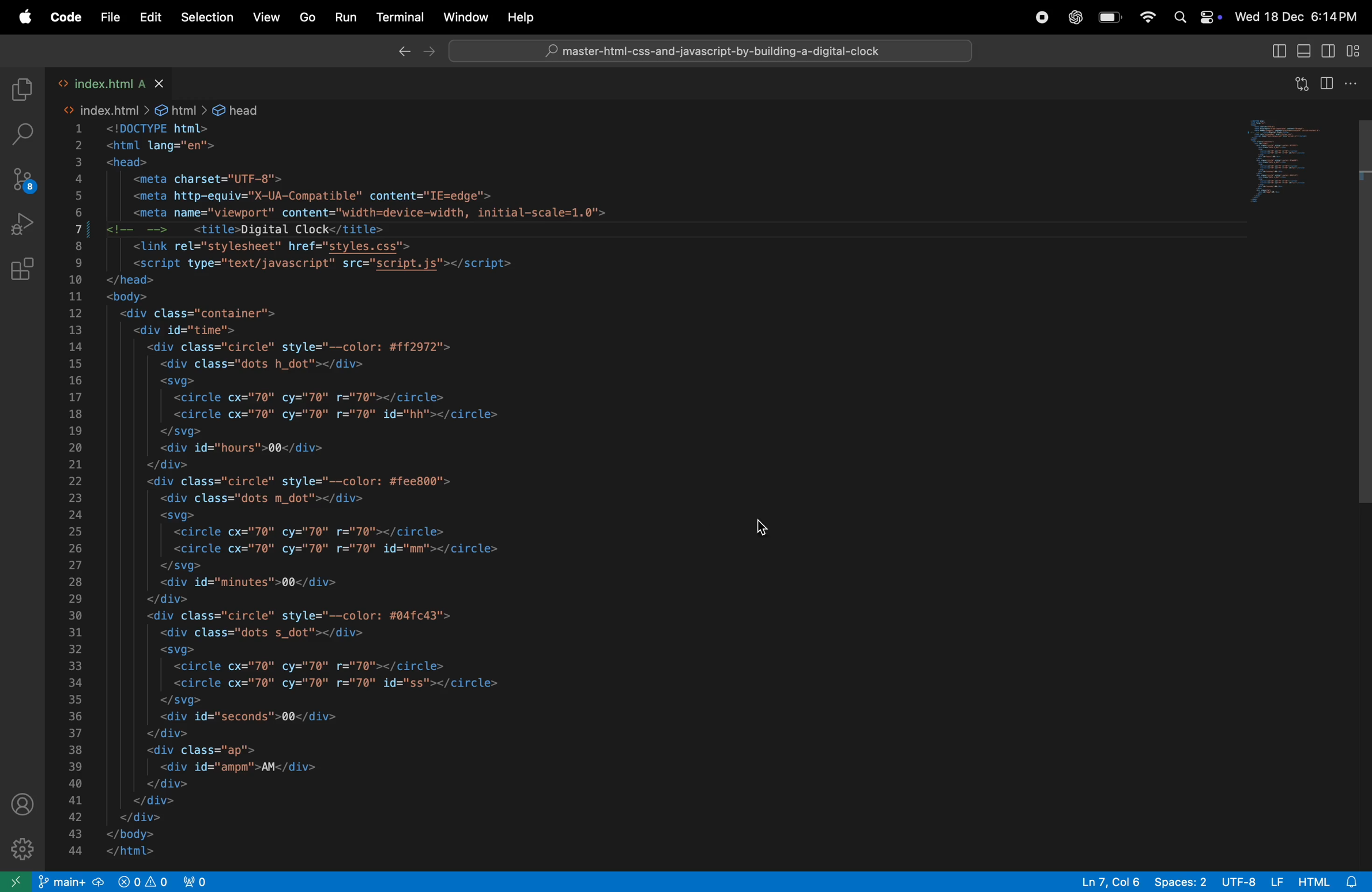 This screenshot has height=892, width=1372. I want to click on main repo, so click(72, 882).